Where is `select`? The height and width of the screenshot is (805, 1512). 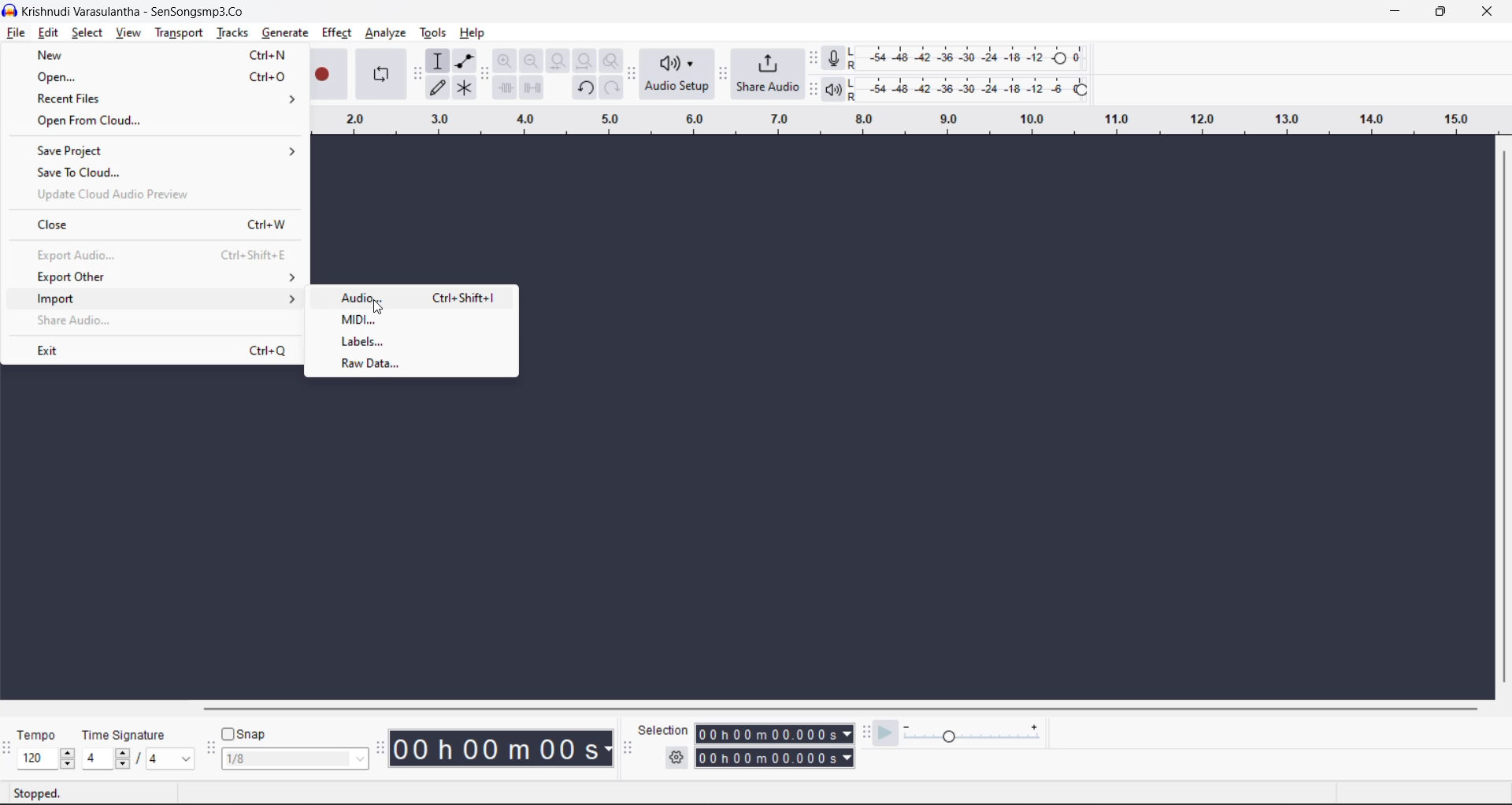 select is located at coordinates (89, 33).